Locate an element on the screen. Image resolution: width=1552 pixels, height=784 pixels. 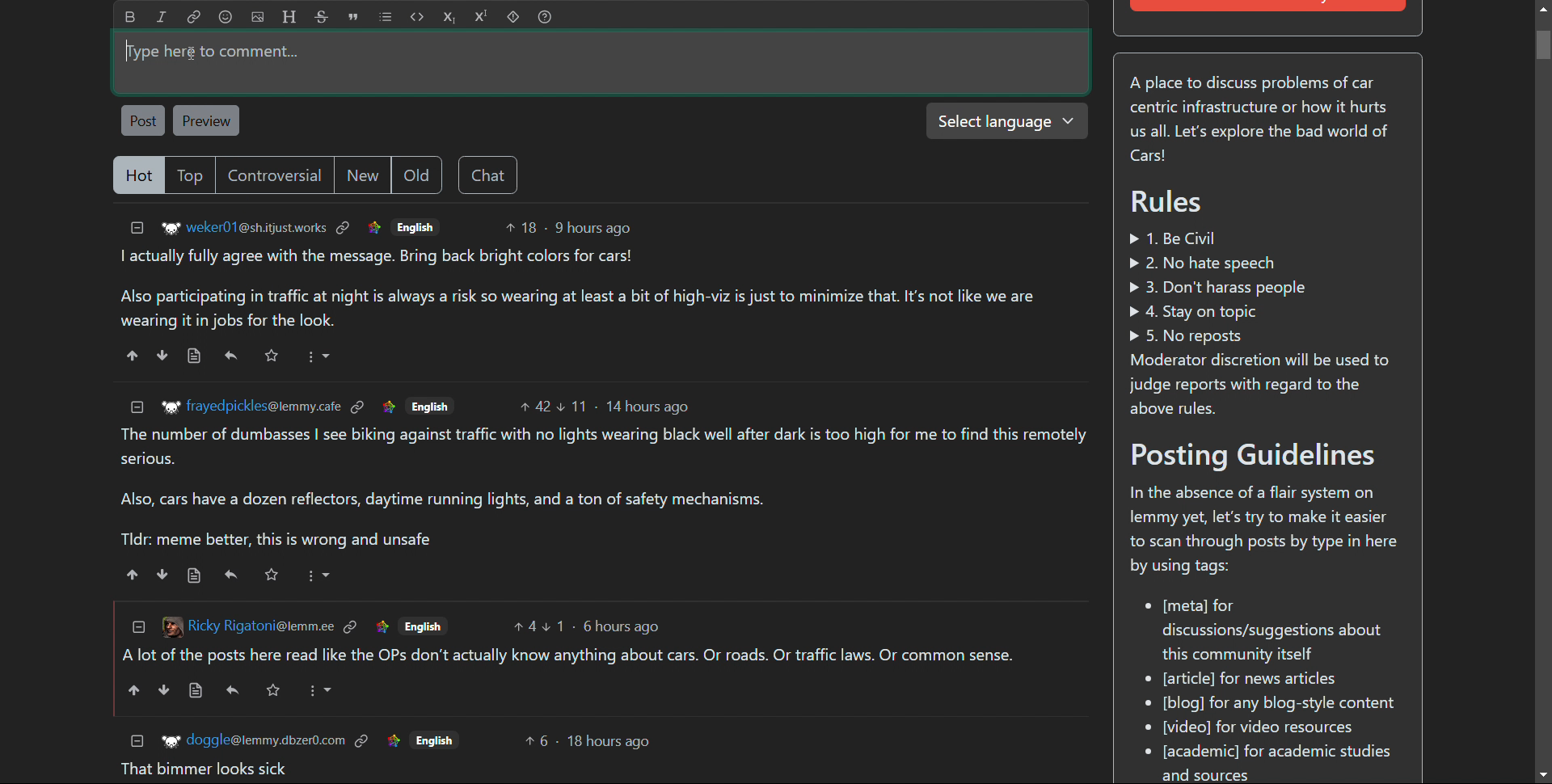
upvotes 4 is located at coordinates (524, 626).